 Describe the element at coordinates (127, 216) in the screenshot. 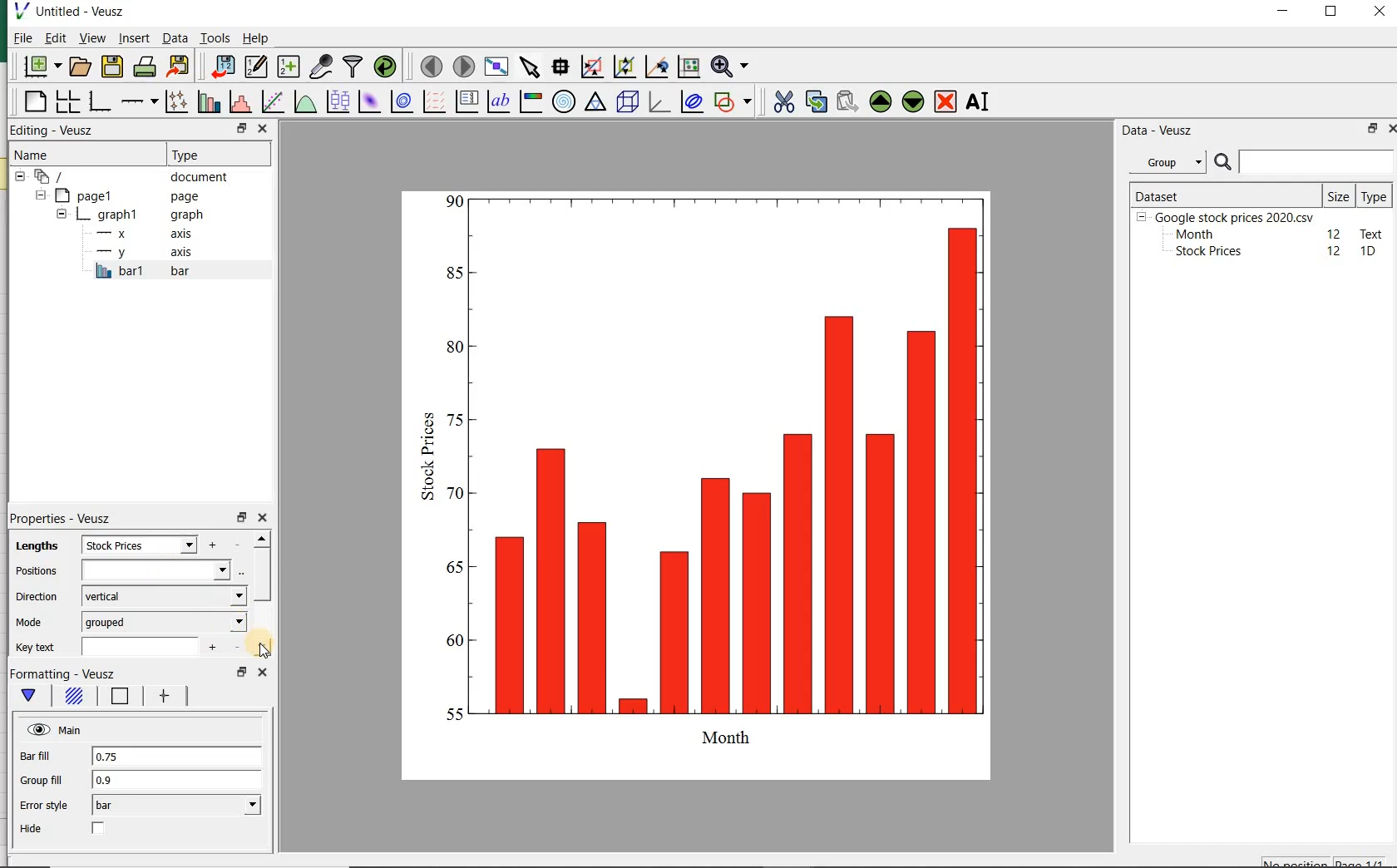

I see `graph1` at that location.